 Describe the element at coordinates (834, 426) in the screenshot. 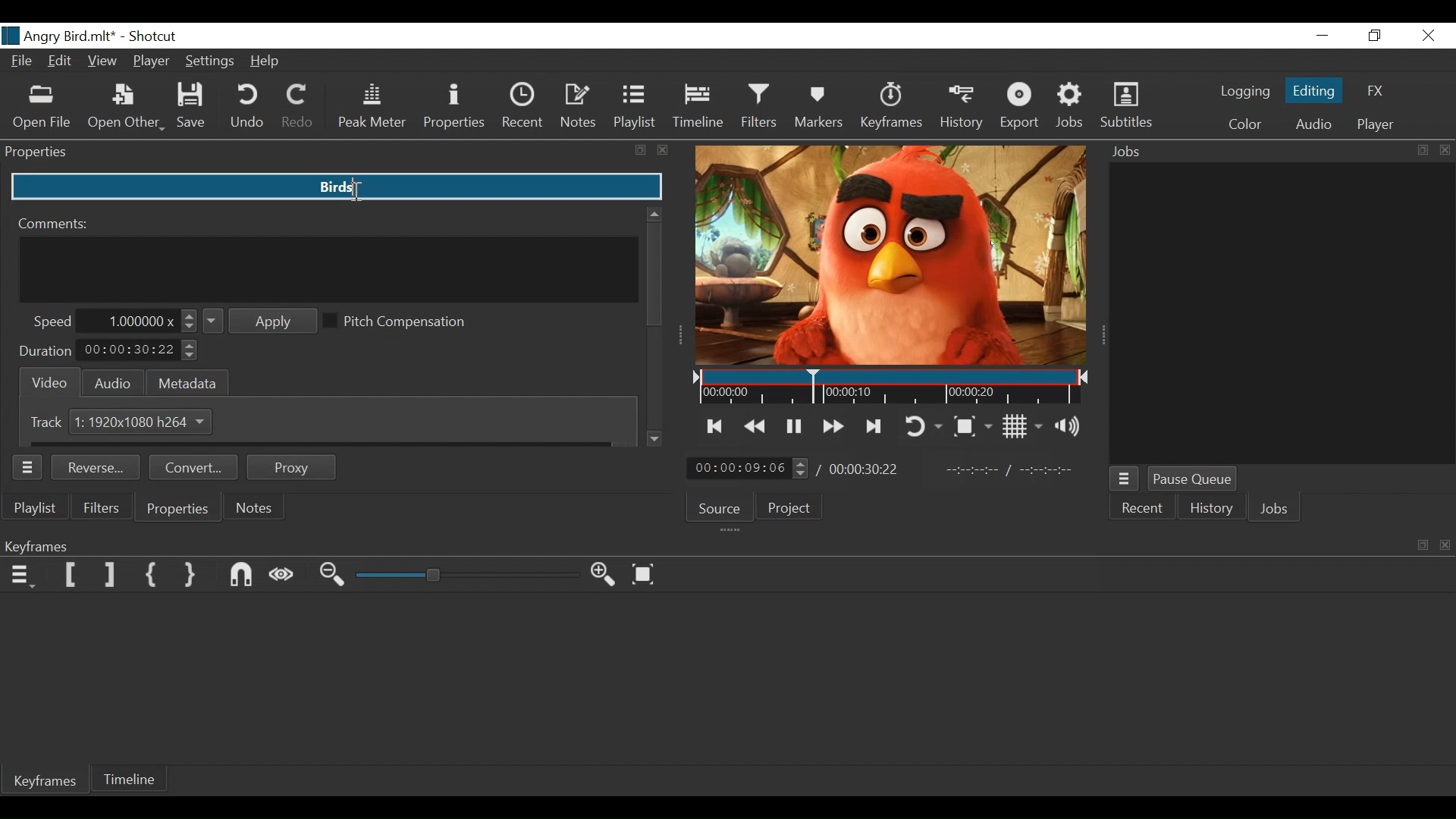

I see `Play forwar quickly` at that location.